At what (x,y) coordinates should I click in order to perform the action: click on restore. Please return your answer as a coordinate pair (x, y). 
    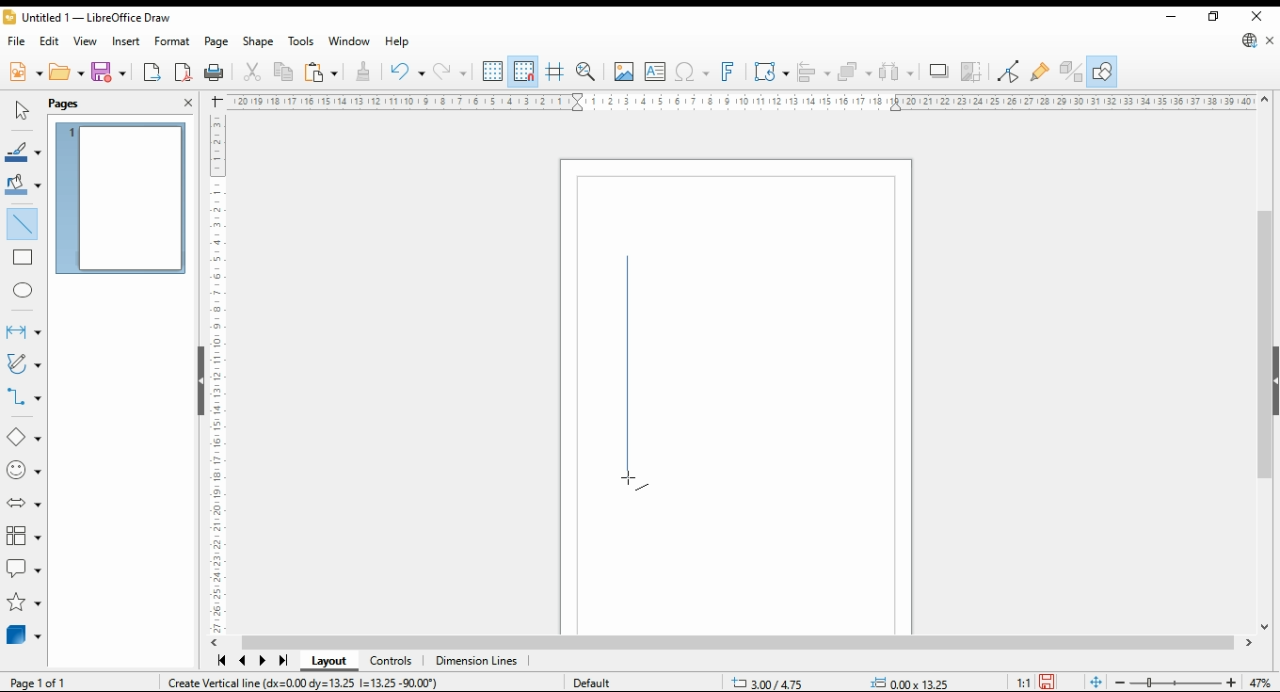
    Looking at the image, I should click on (1213, 17).